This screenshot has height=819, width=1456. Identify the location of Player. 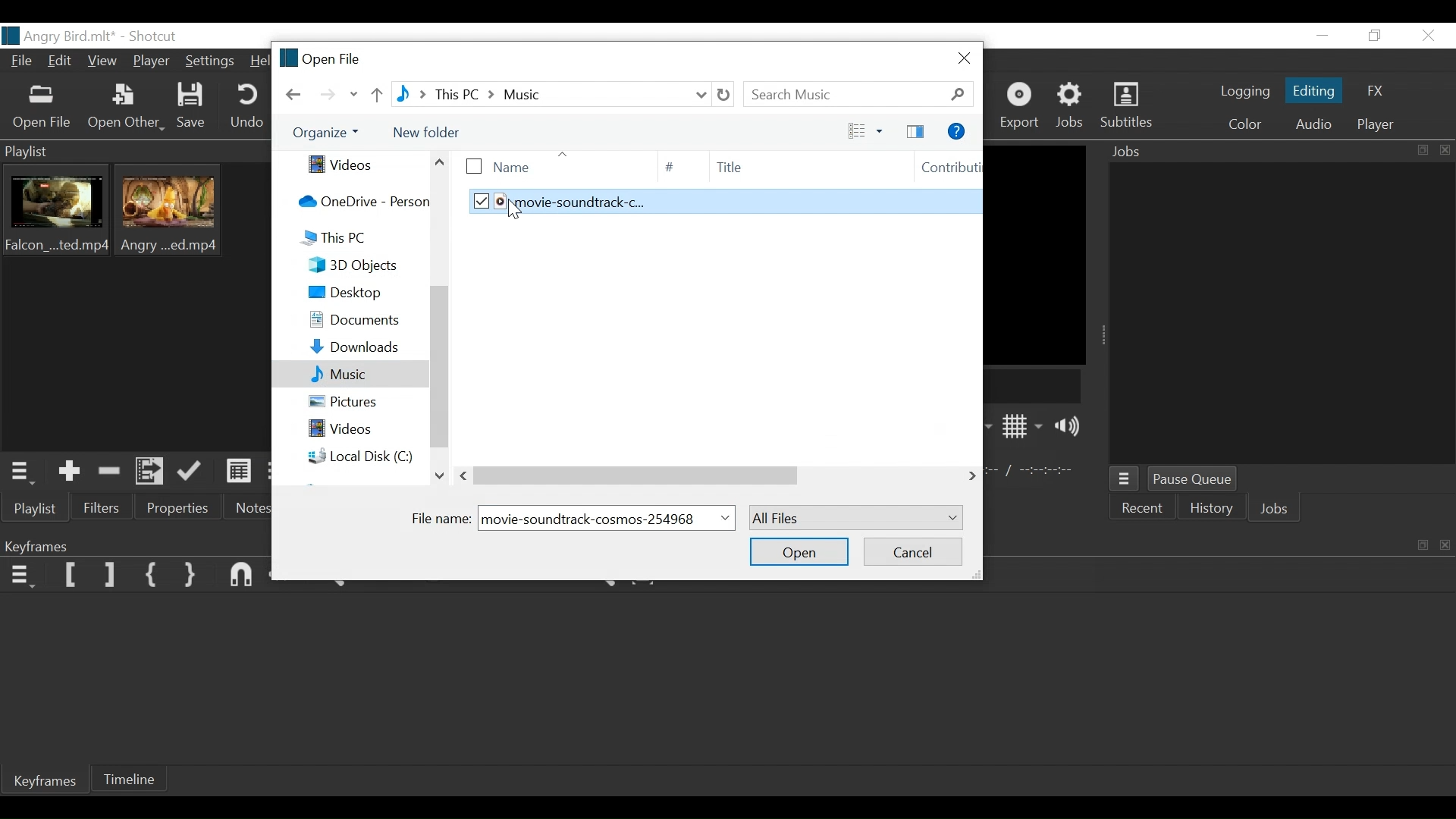
(151, 61).